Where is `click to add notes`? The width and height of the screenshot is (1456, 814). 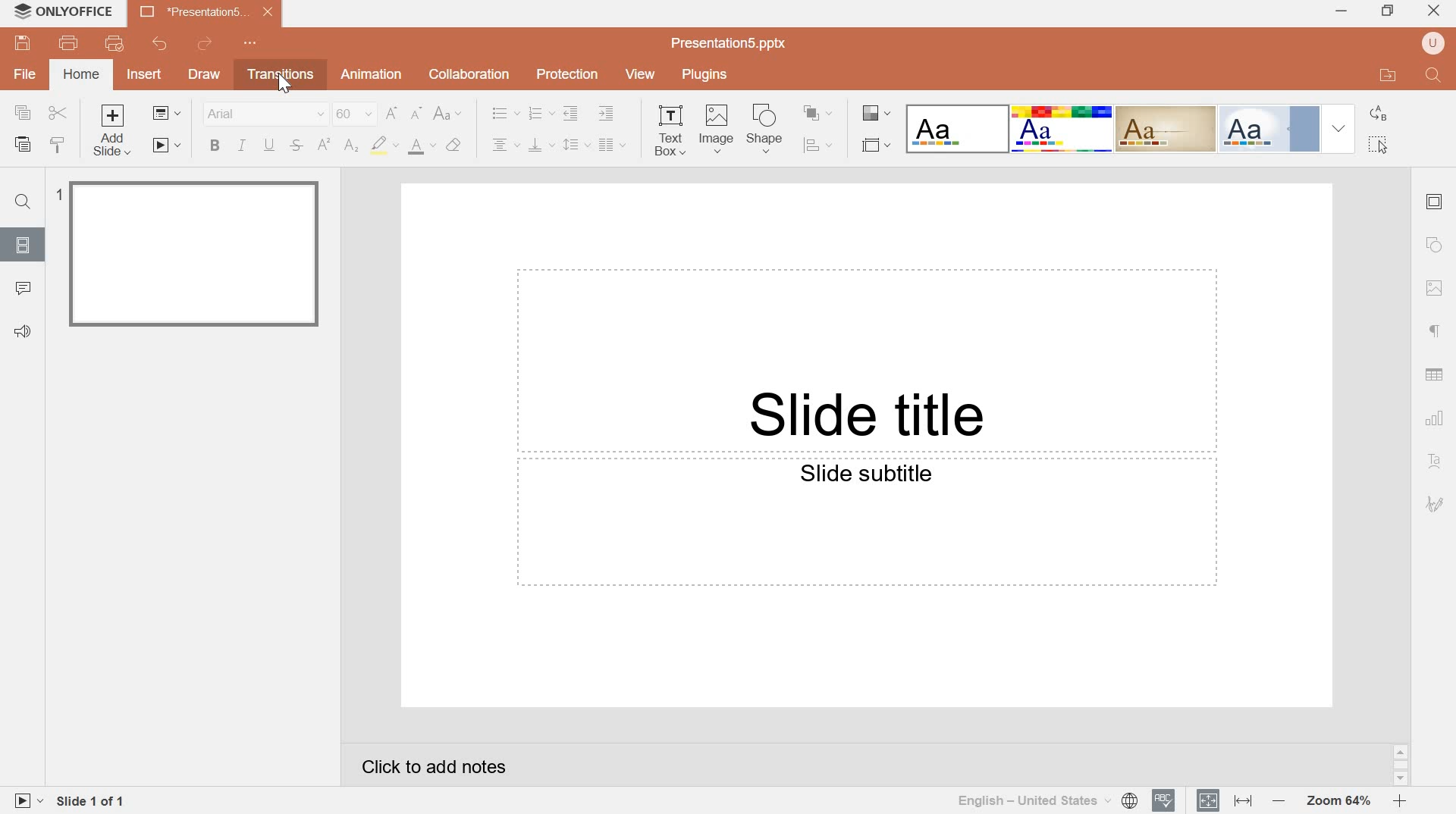 click to add notes is located at coordinates (435, 767).